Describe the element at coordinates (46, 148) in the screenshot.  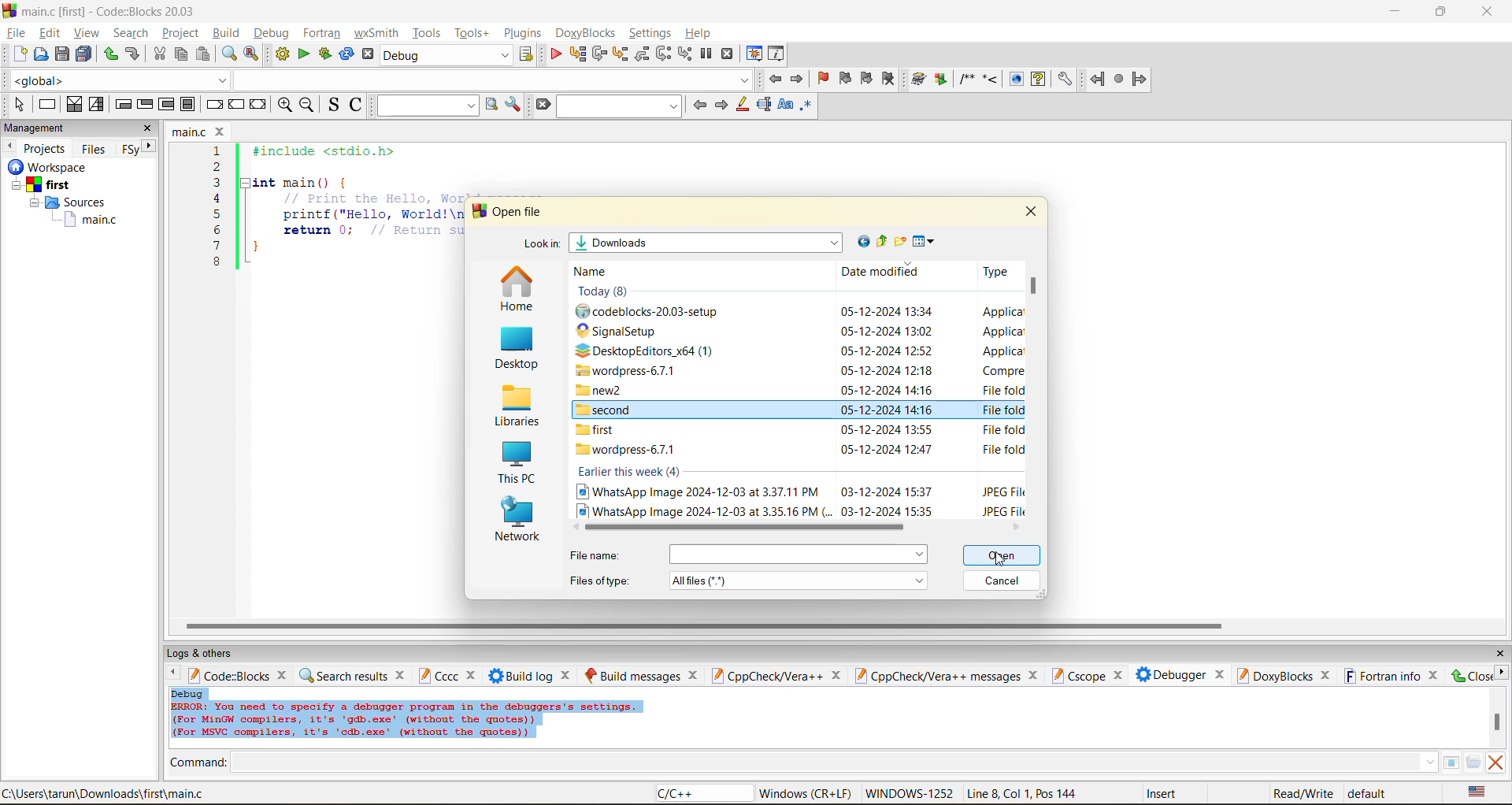
I see `projects` at that location.